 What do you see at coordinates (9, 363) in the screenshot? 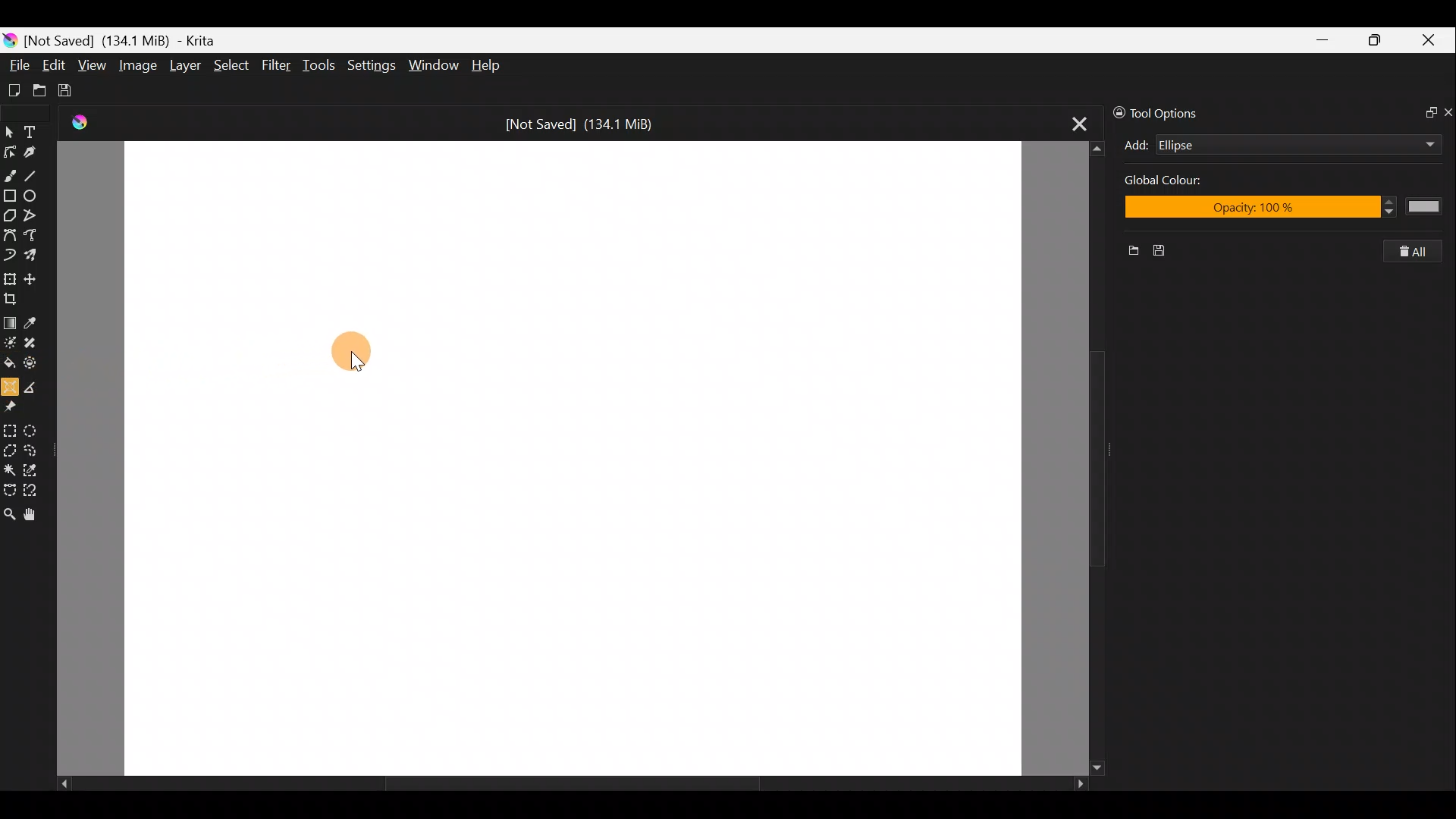
I see `Fill a contiguous area of color with color` at bounding box center [9, 363].